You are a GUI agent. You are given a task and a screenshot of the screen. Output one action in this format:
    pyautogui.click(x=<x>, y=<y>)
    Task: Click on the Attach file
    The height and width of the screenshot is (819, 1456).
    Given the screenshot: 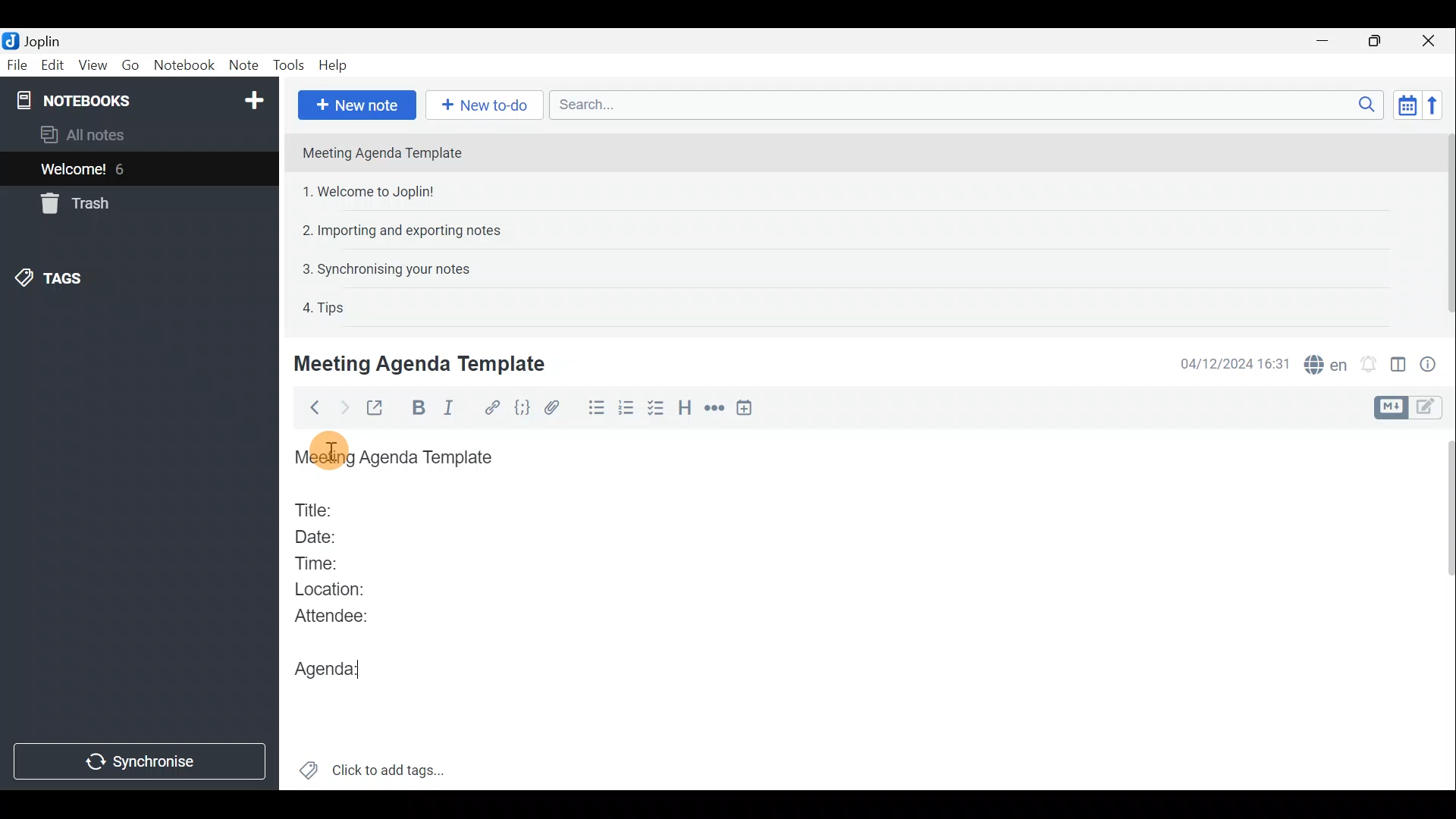 What is the action you would take?
    pyautogui.click(x=559, y=408)
    